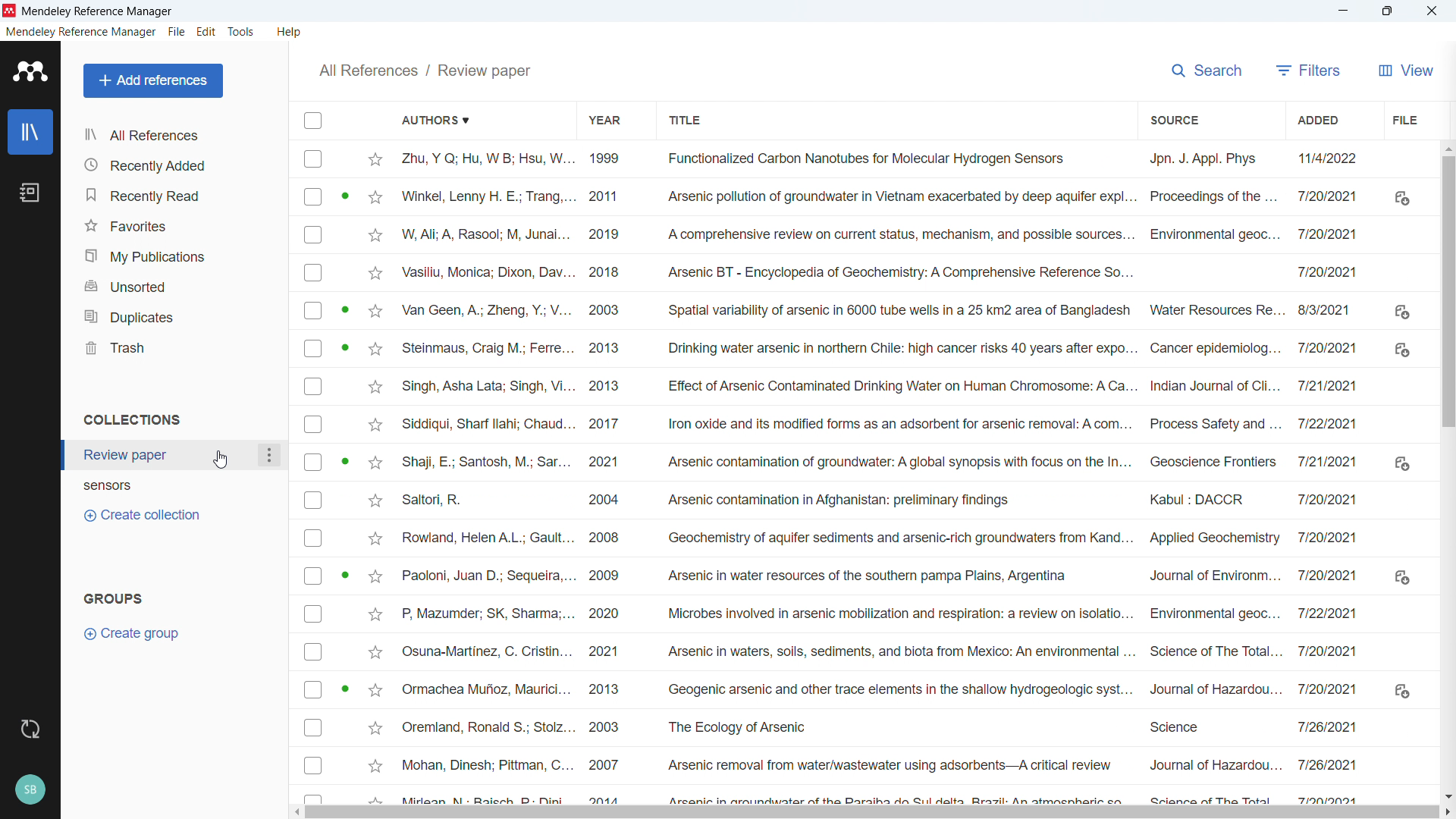  What do you see at coordinates (269, 455) in the screenshot?
I see `Collection options ` at bounding box center [269, 455].